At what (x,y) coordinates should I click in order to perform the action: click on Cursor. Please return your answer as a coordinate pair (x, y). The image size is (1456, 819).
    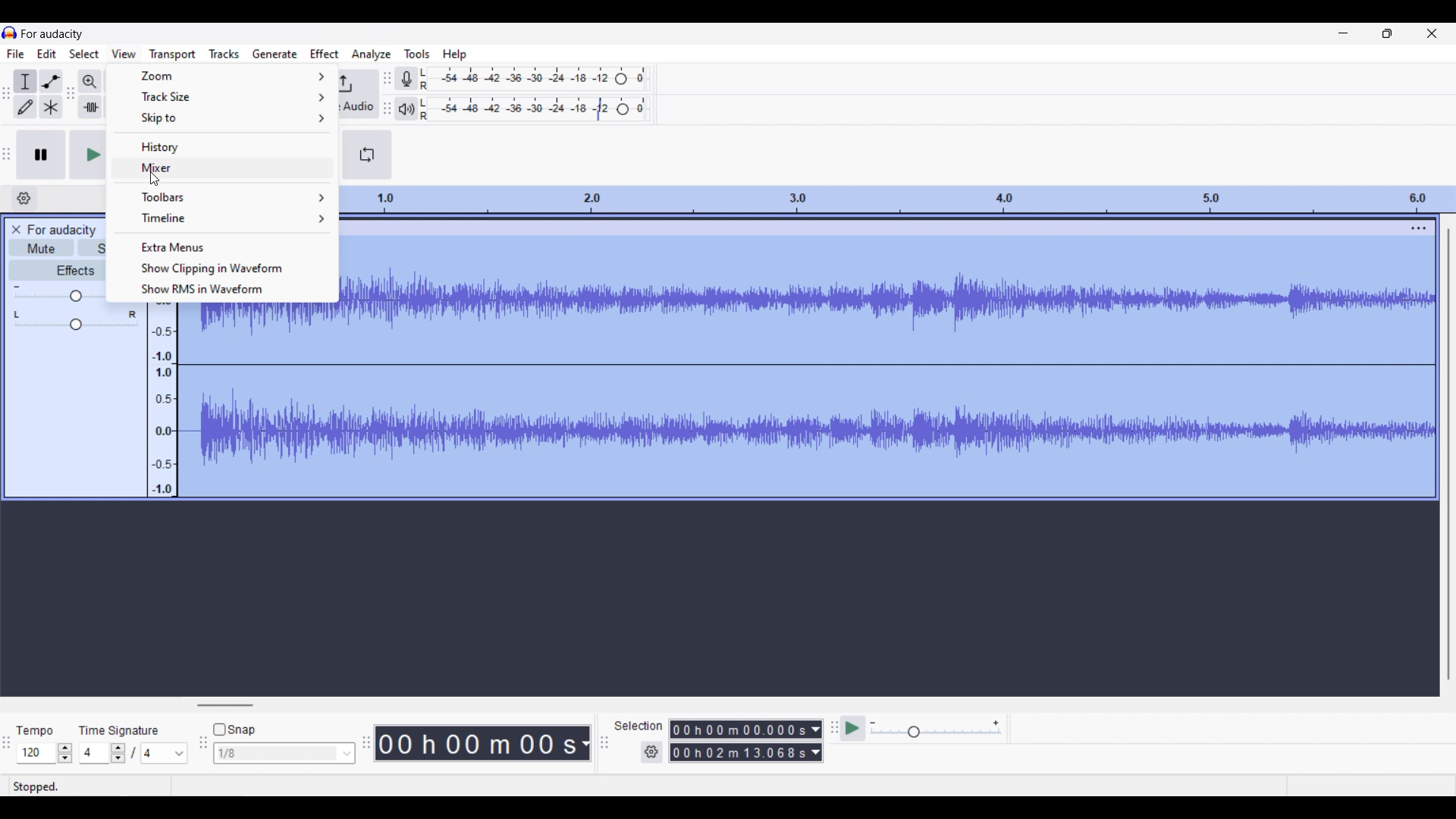
    Looking at the image, I should click on (155, 179).